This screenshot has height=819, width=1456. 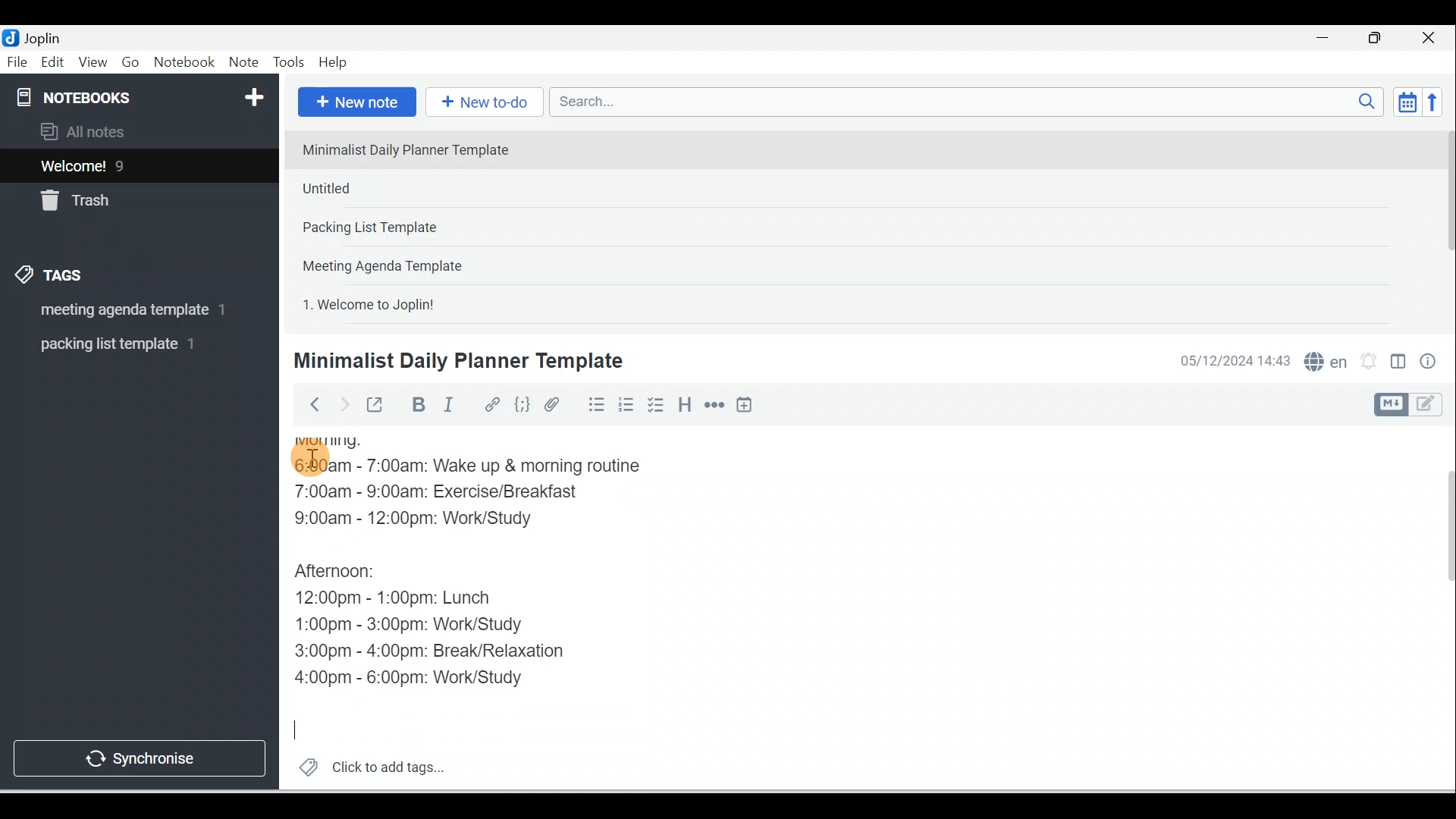 I want to click on Note 1, so click(x=416, y=149).